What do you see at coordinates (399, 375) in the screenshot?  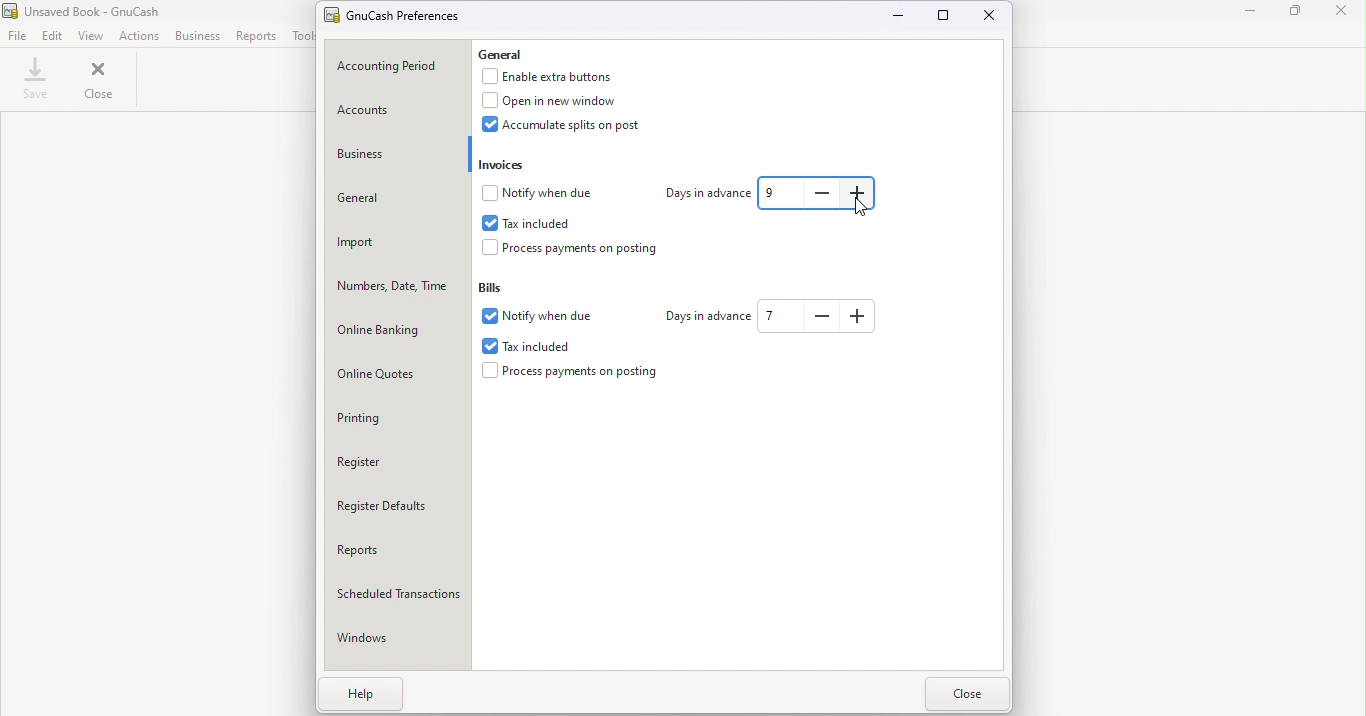 I see `Online quotes` at bounding box center [399, 375].